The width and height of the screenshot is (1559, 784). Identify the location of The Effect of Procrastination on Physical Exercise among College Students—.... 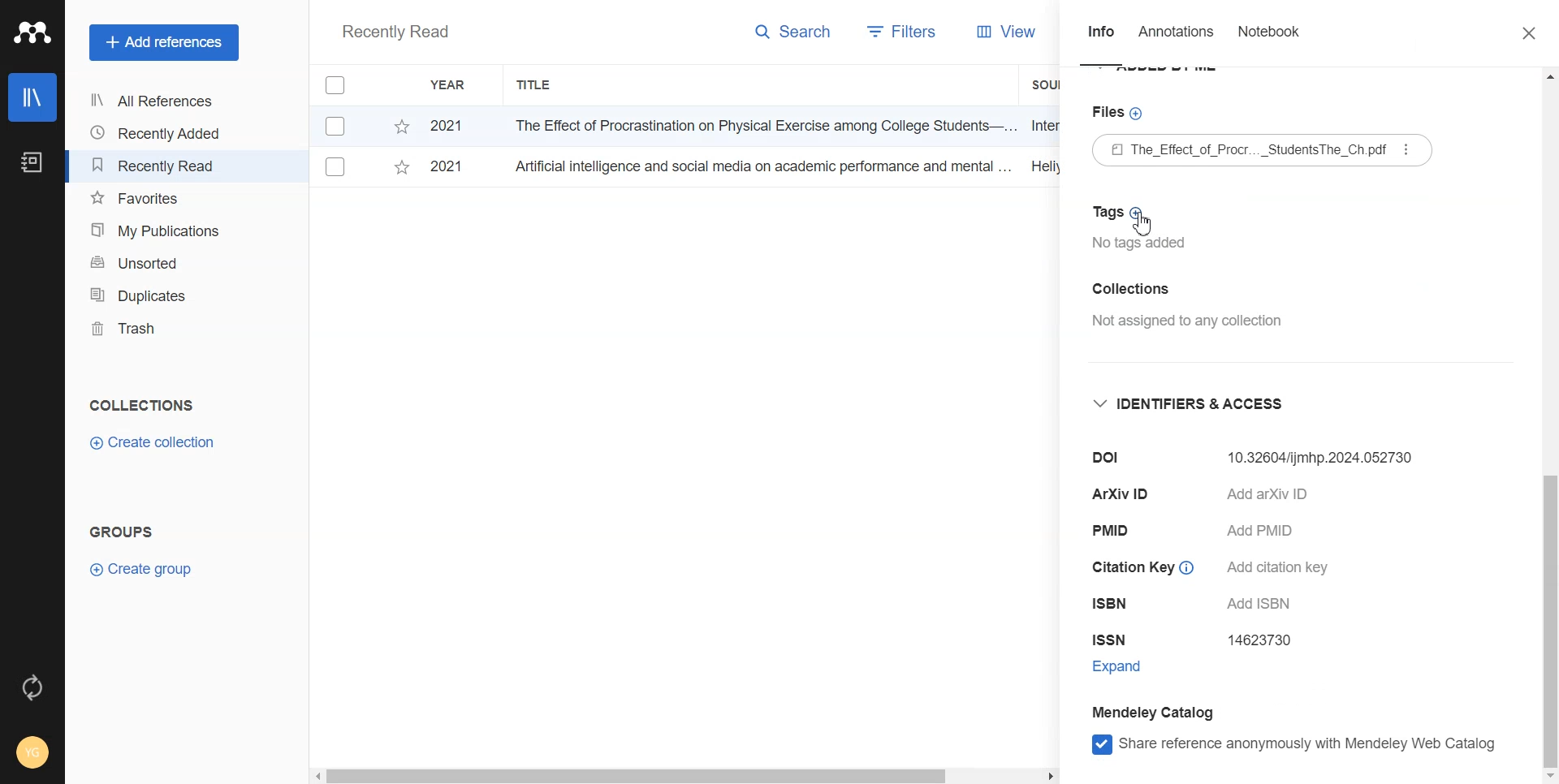
(759, 125).